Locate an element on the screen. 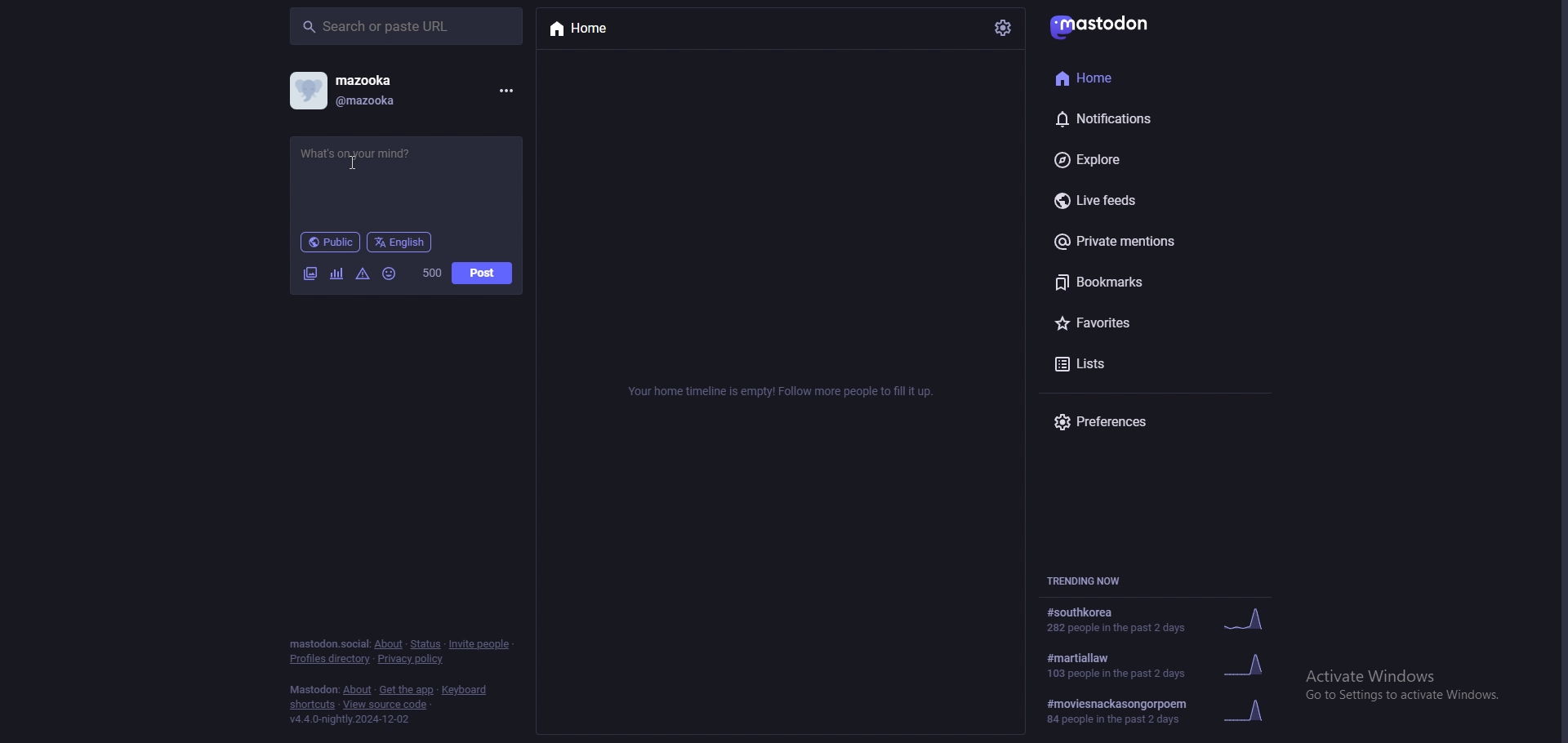 This screenshot has height=743, width=1568. keyboard is located at coordinates (467, 690).